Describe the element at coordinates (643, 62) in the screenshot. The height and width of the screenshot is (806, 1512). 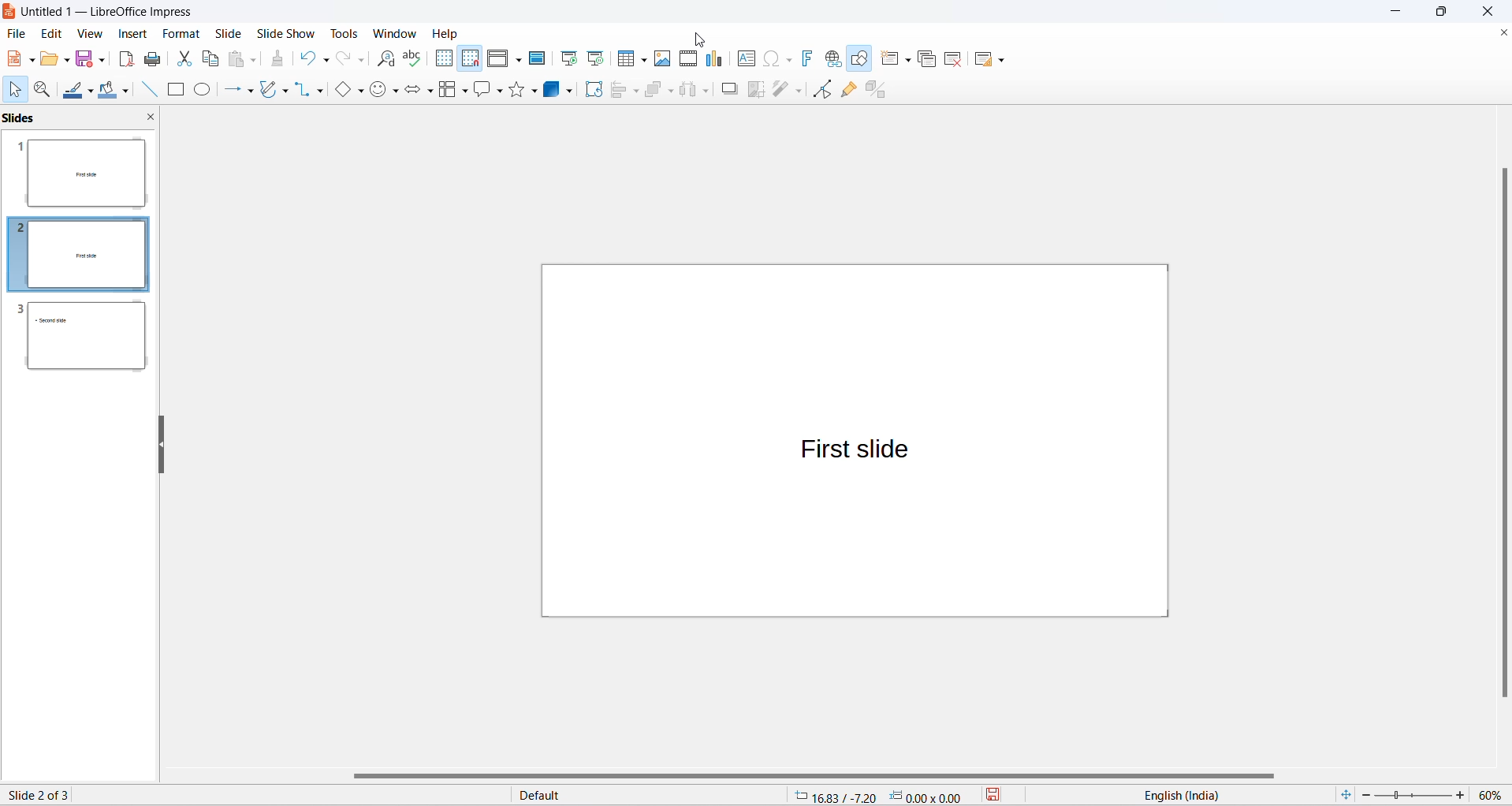
I see `table grid` at that location.